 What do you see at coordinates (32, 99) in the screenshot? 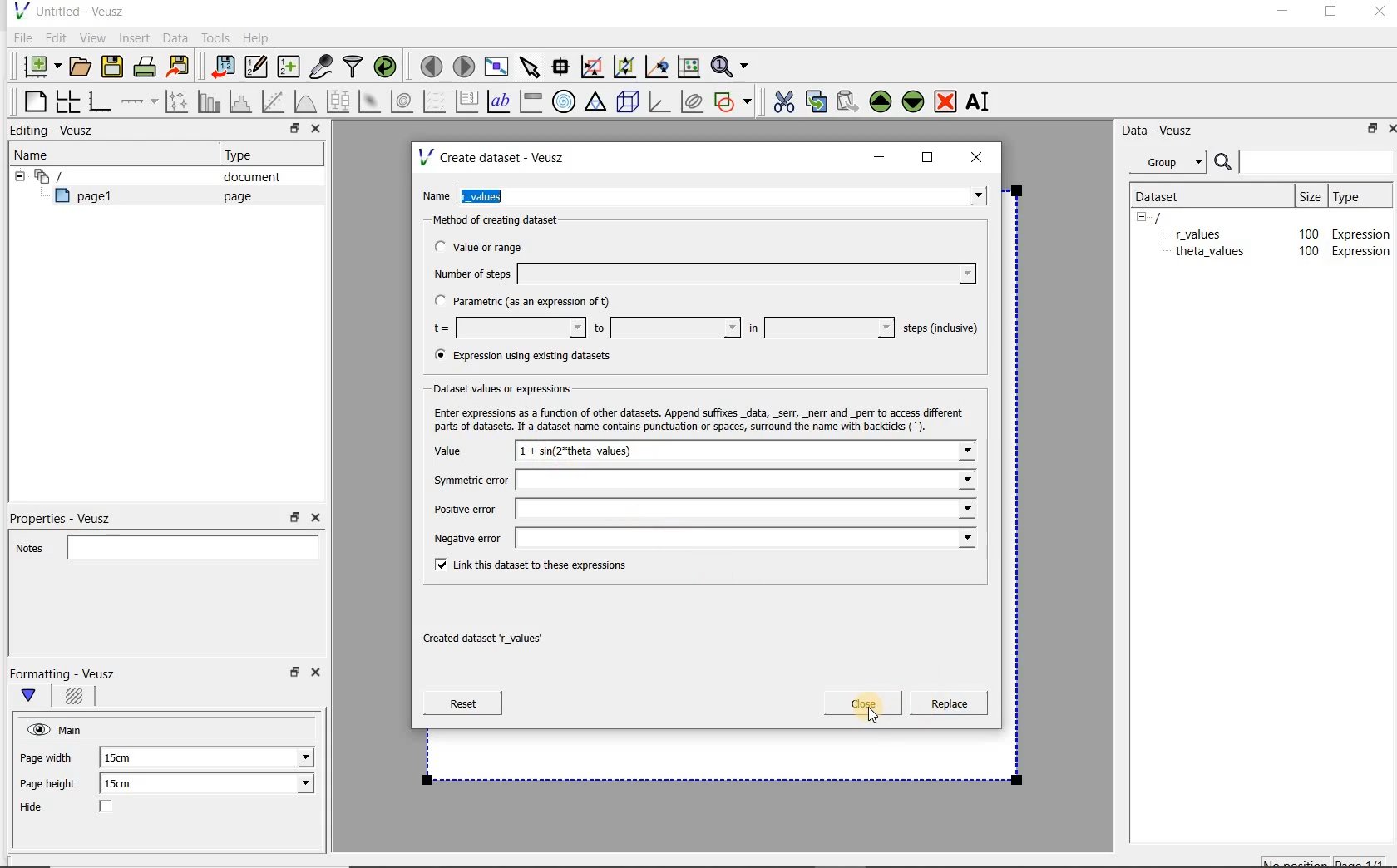
I see `blank page` at bounding box center [32, 99].